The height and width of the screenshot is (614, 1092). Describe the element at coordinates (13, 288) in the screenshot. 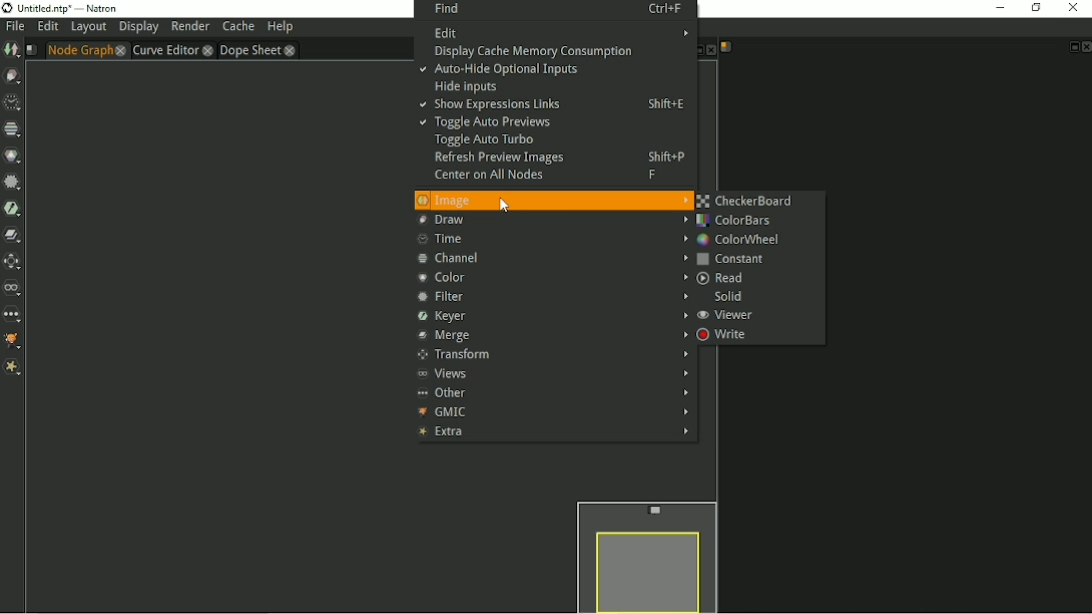

I see `Views` at that location.